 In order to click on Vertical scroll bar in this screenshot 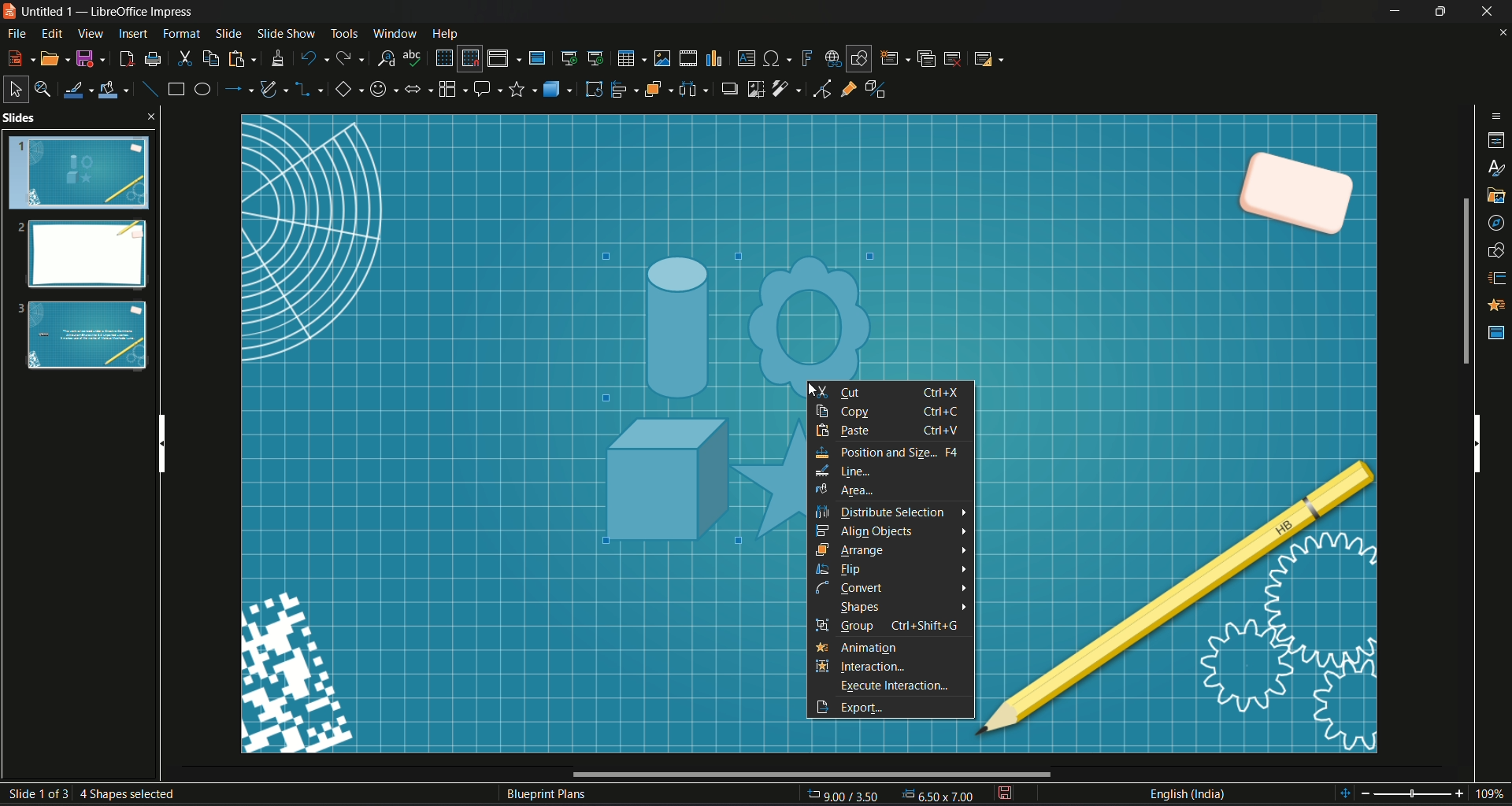, I will do `click(160, 439)`.